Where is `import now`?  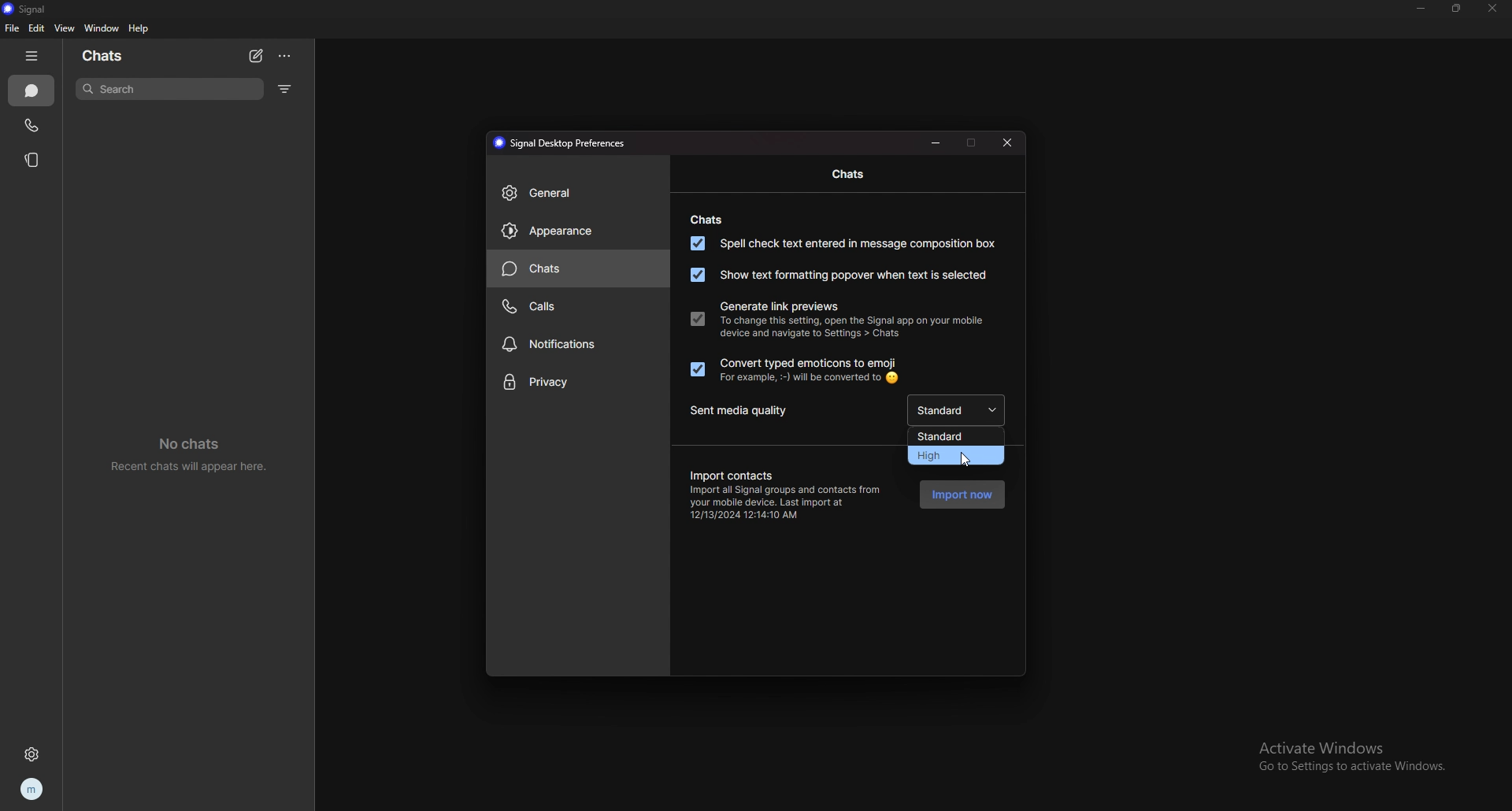 import now is located at coordinates (962, 494).